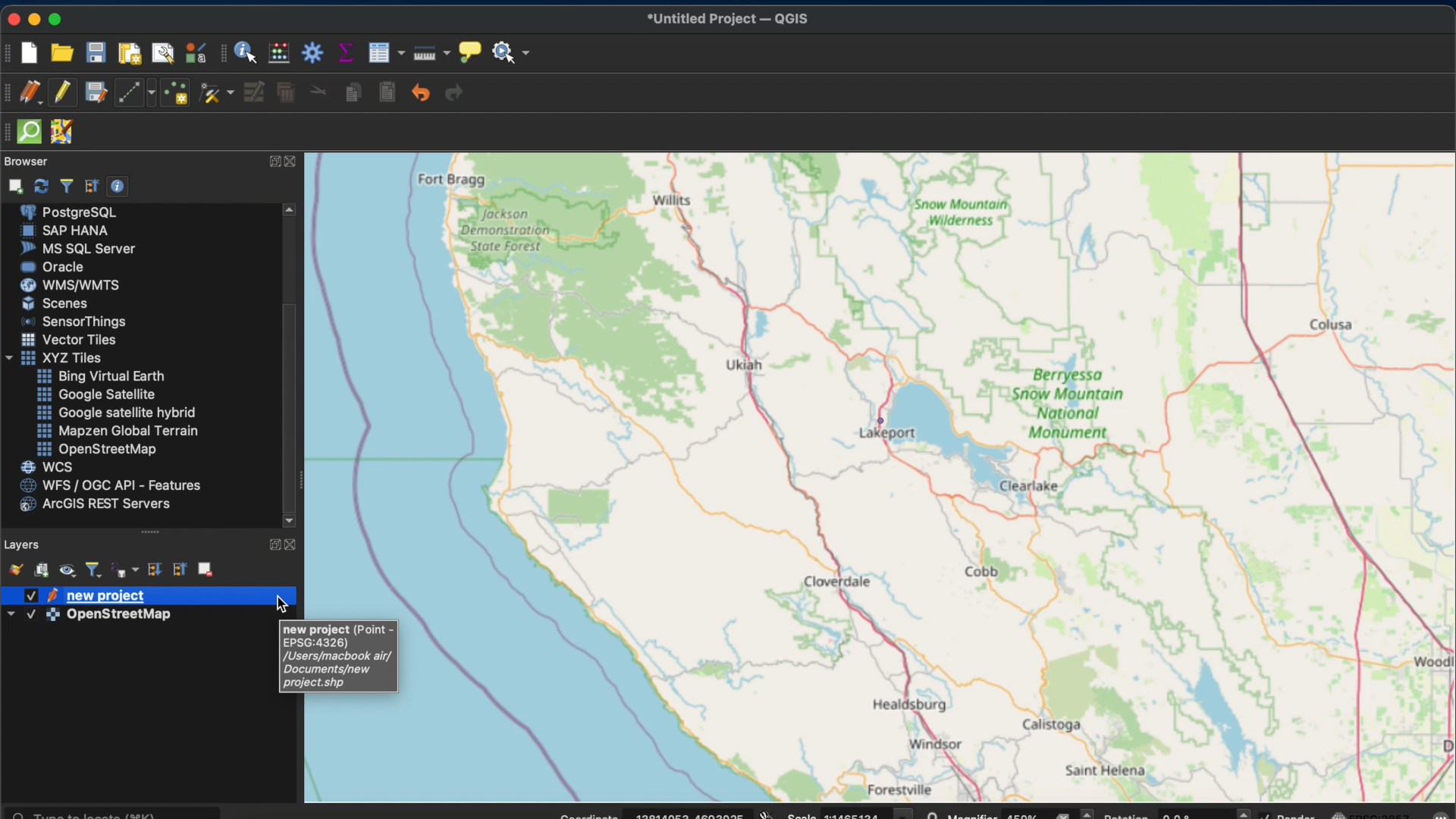 The image size is (1456, 819). Describe the element at coordinates (256, 94) in the screenshot. I see `modify attributes` at that location.